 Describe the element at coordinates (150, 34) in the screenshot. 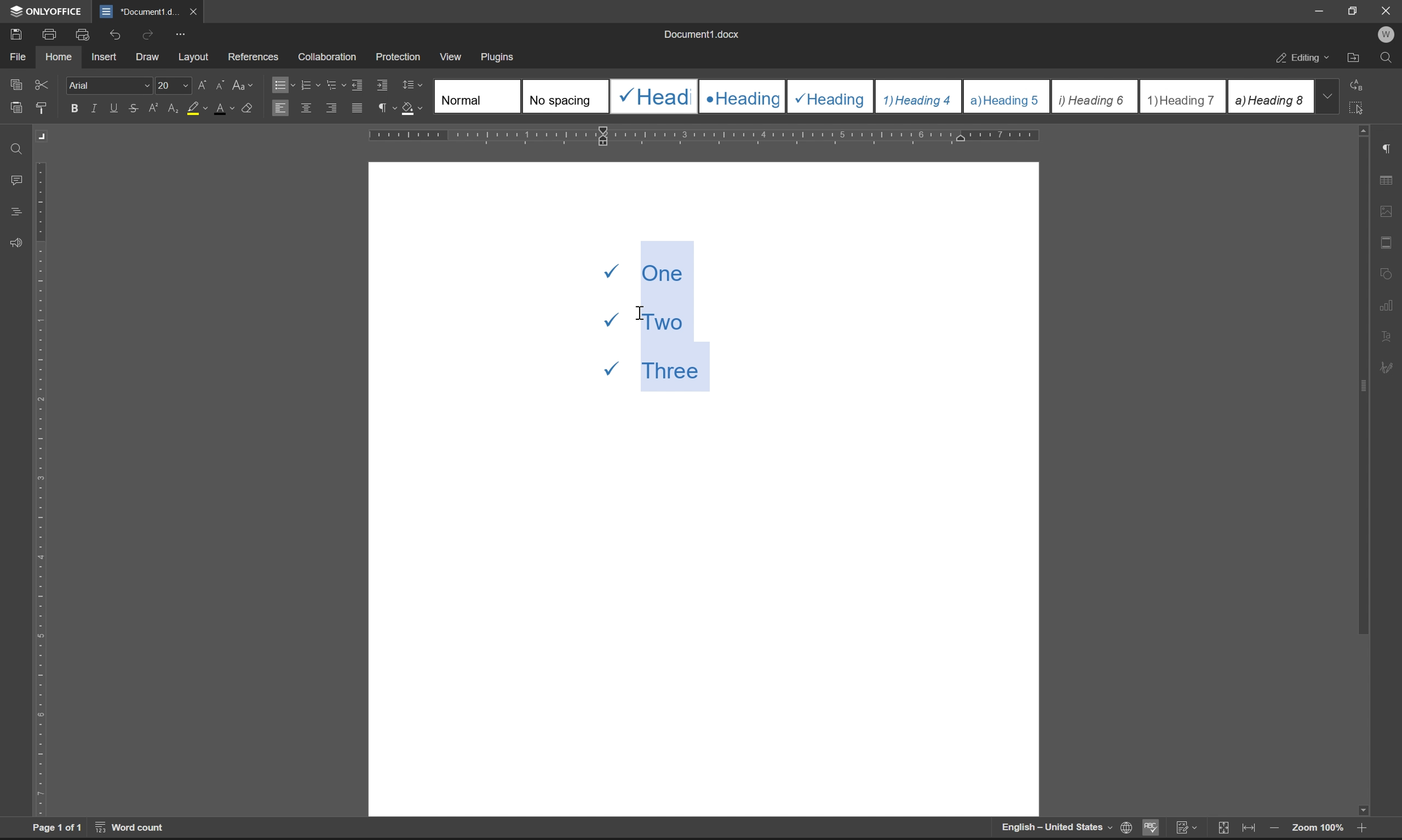

I see `redo` at that location.